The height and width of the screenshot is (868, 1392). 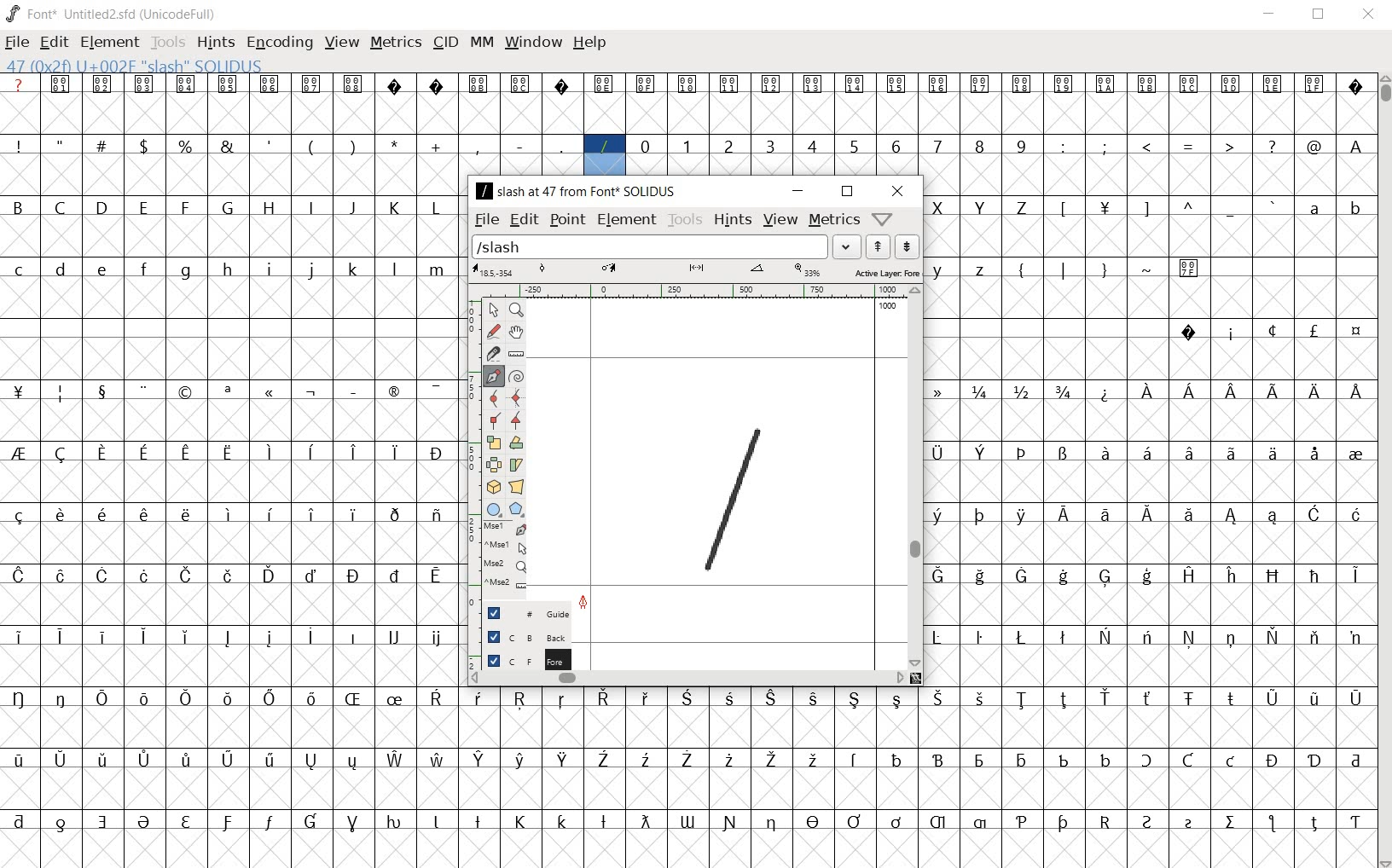 What do you see at coordinates (514, 421) in the screenshot?
I see `Add a corner point` at bounding box center [514, 421].